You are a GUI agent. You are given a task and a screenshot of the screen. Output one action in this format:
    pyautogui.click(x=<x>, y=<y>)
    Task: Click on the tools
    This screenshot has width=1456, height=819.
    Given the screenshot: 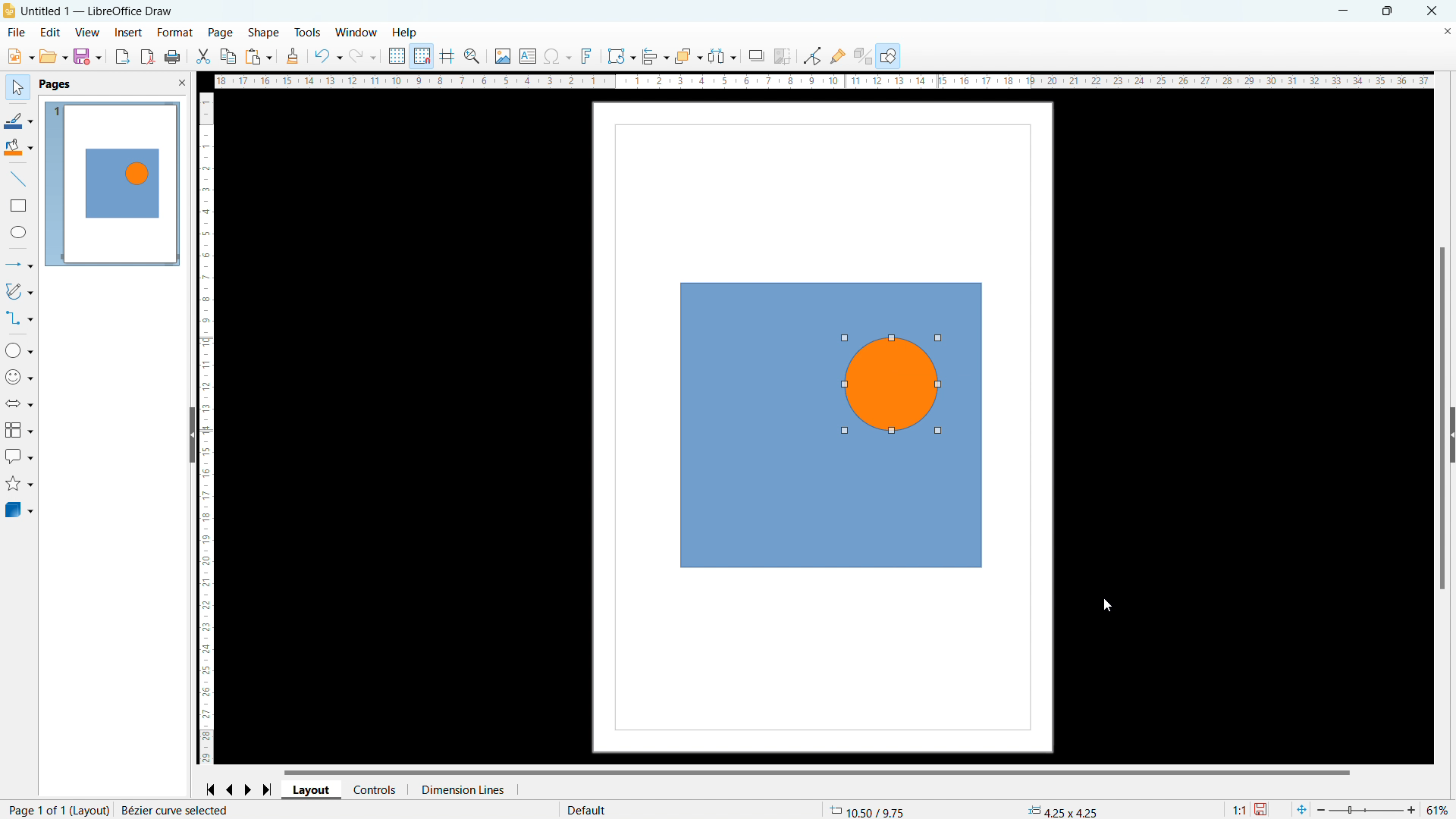 What is the action you would take?
    pyautogui.click(x=308, y=32)
    